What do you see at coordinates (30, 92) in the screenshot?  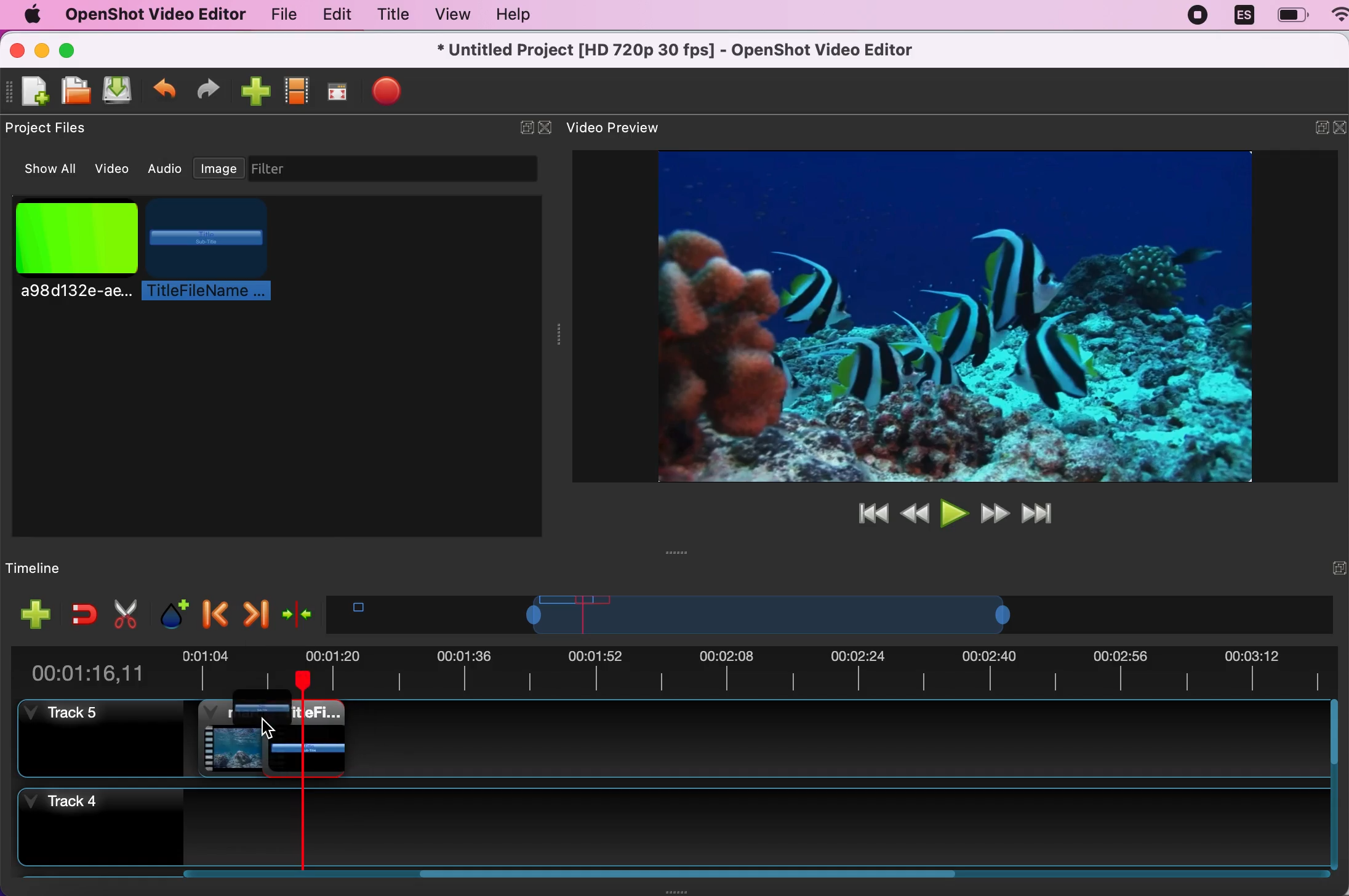 I see `new file` at bounding box center [30, 92].